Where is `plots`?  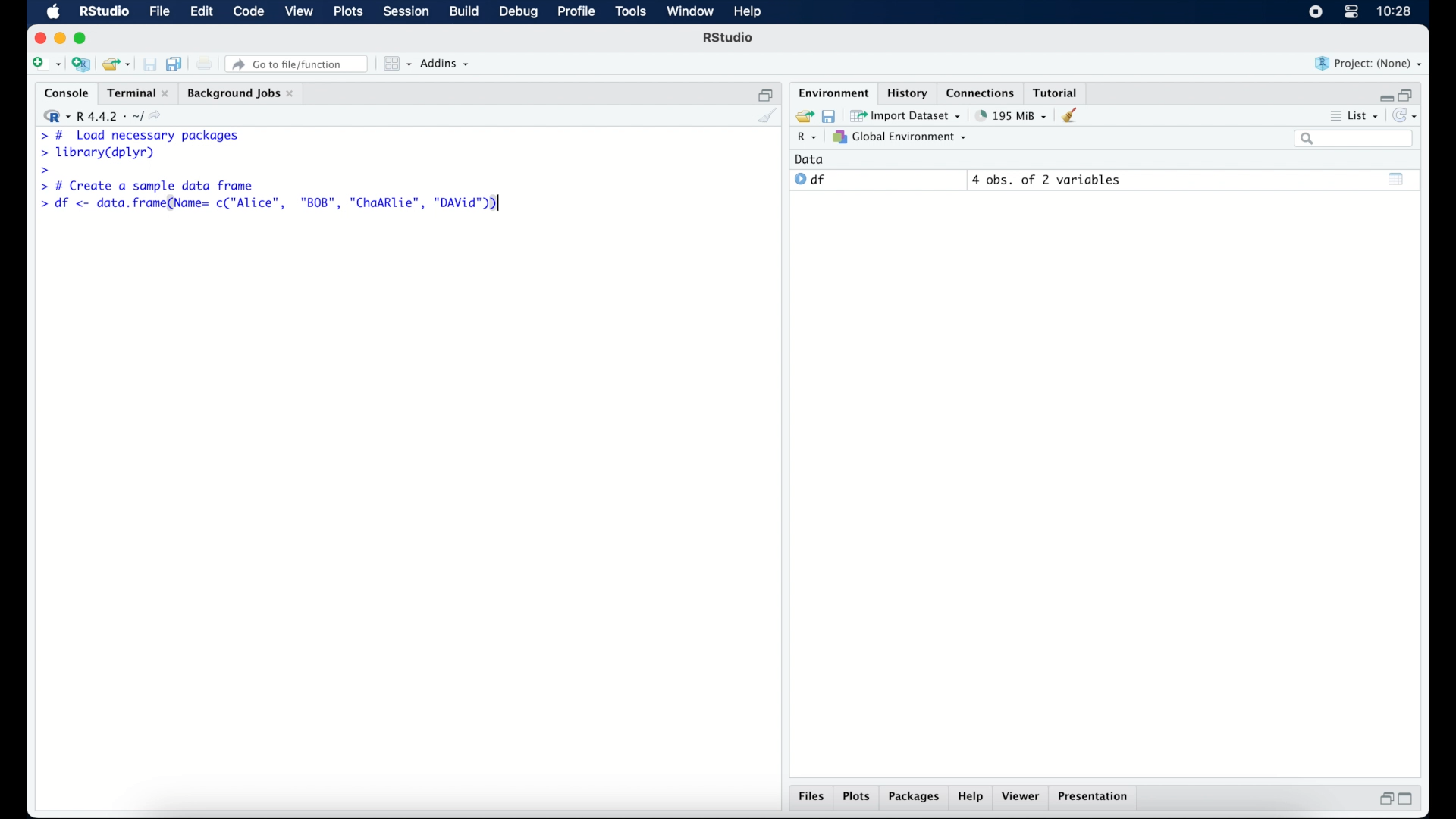
plots is located at coordinates (350, 13).